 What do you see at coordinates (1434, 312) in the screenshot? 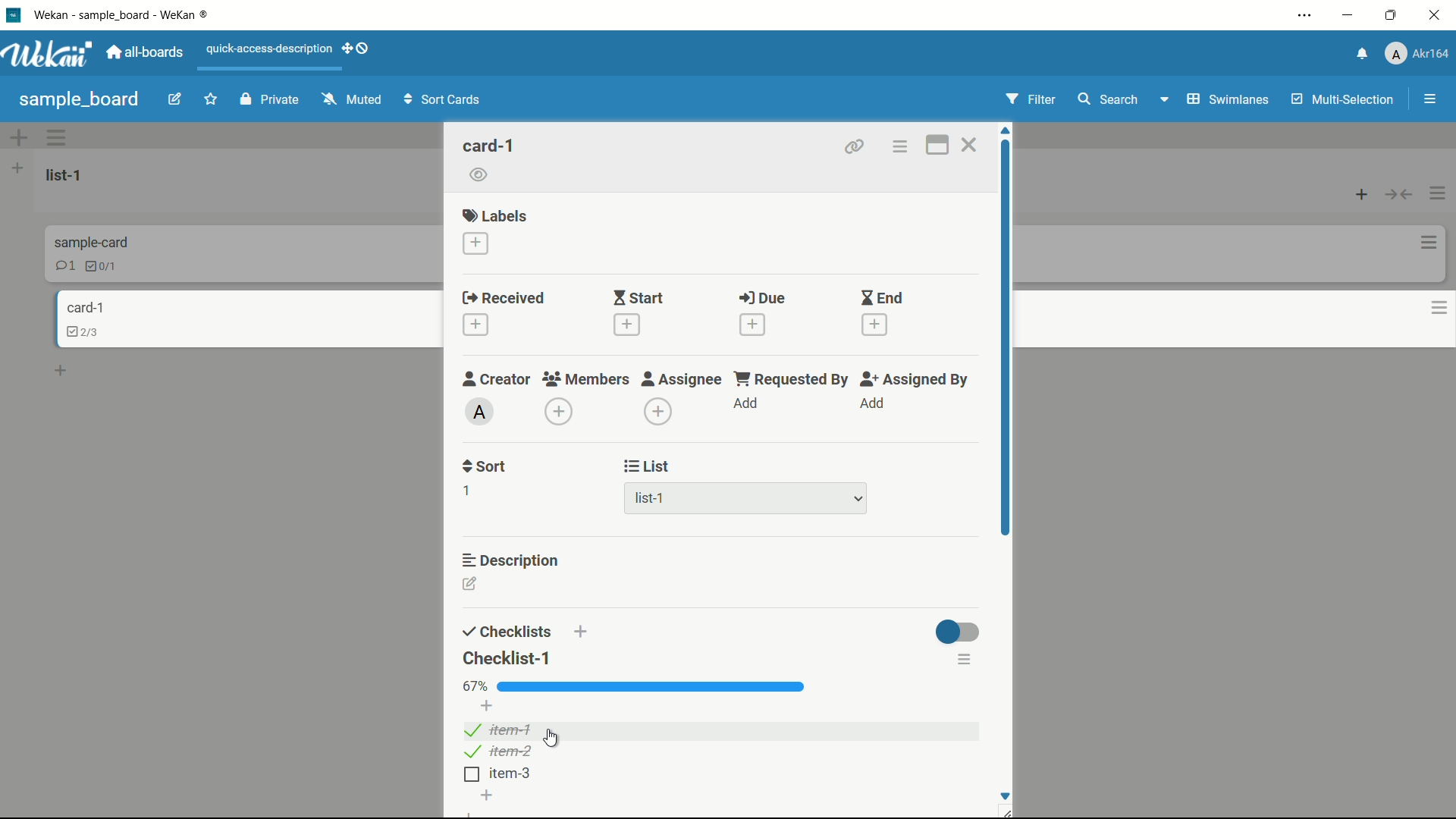
I see `card actions` at bounding box center [1434, 312].